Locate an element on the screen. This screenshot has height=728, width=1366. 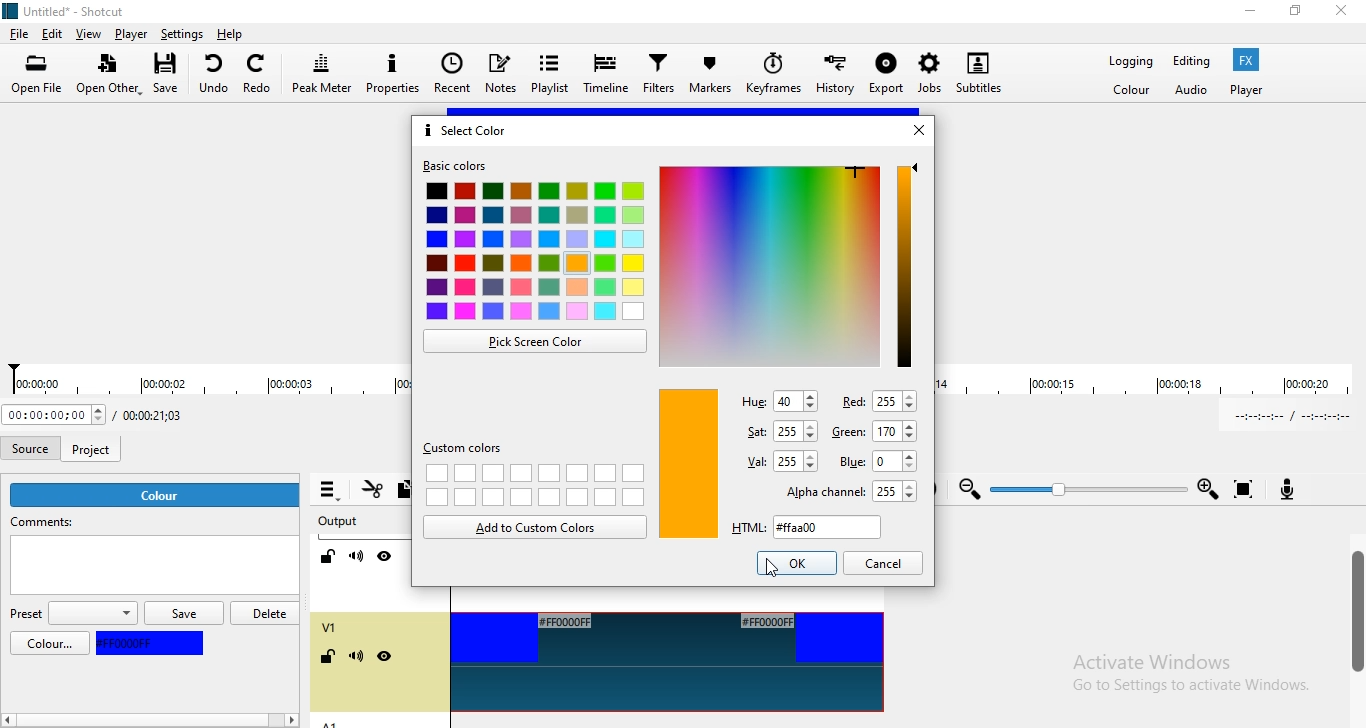
custom colors is located at coordinates (471, 449).